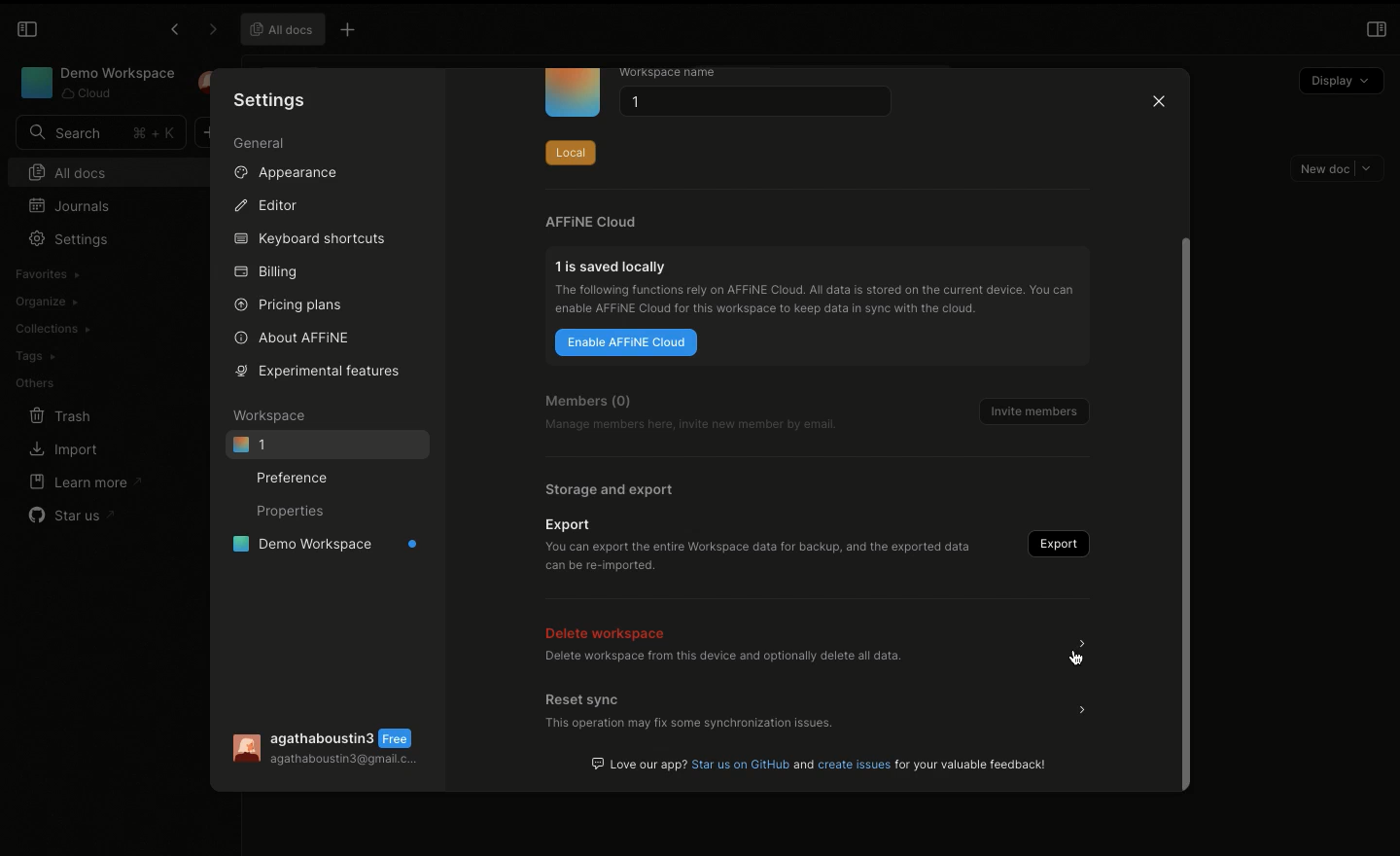 Image resolution: width=1400 pixels, height=856 pixels. Describe the element at coordinates (260, 144) in the screenshot. I see `General` at that location.